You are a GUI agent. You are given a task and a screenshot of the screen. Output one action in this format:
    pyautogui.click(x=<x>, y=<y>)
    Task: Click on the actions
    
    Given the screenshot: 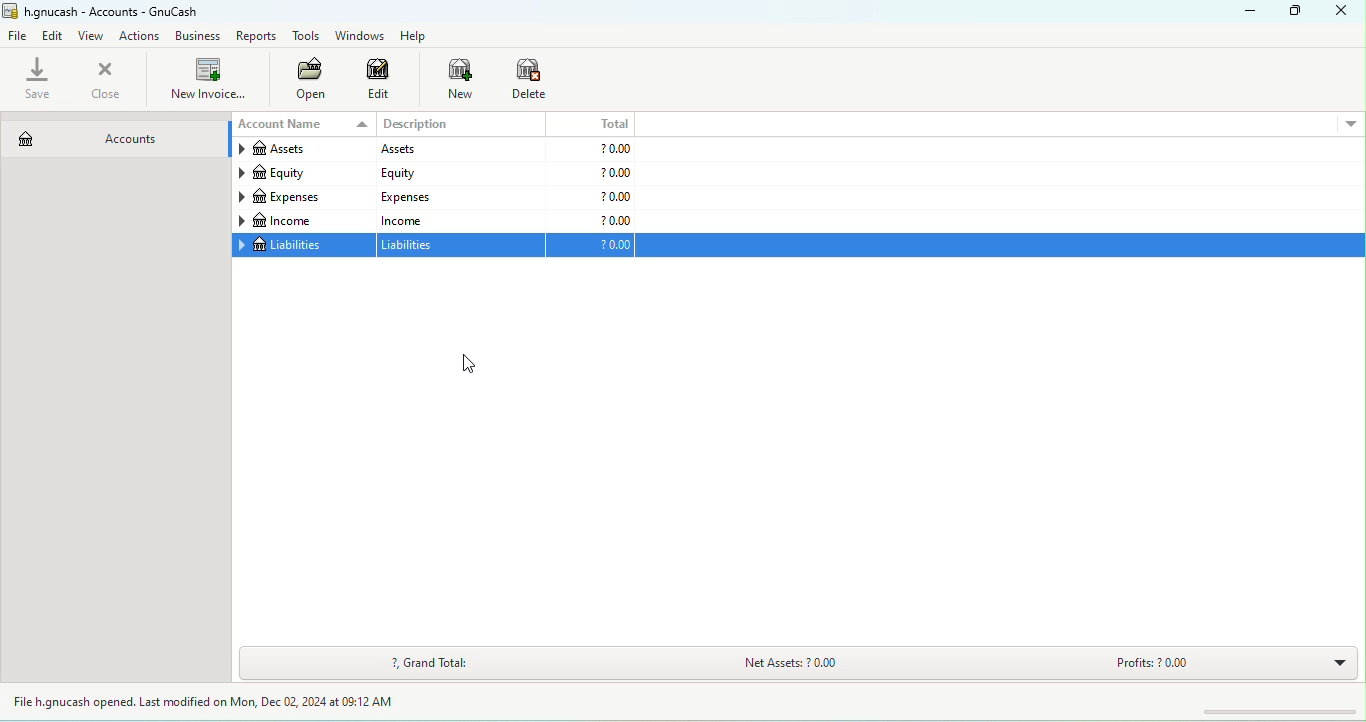 What is the action you would take?
    pyautogui.click(x=143, y=36)
    